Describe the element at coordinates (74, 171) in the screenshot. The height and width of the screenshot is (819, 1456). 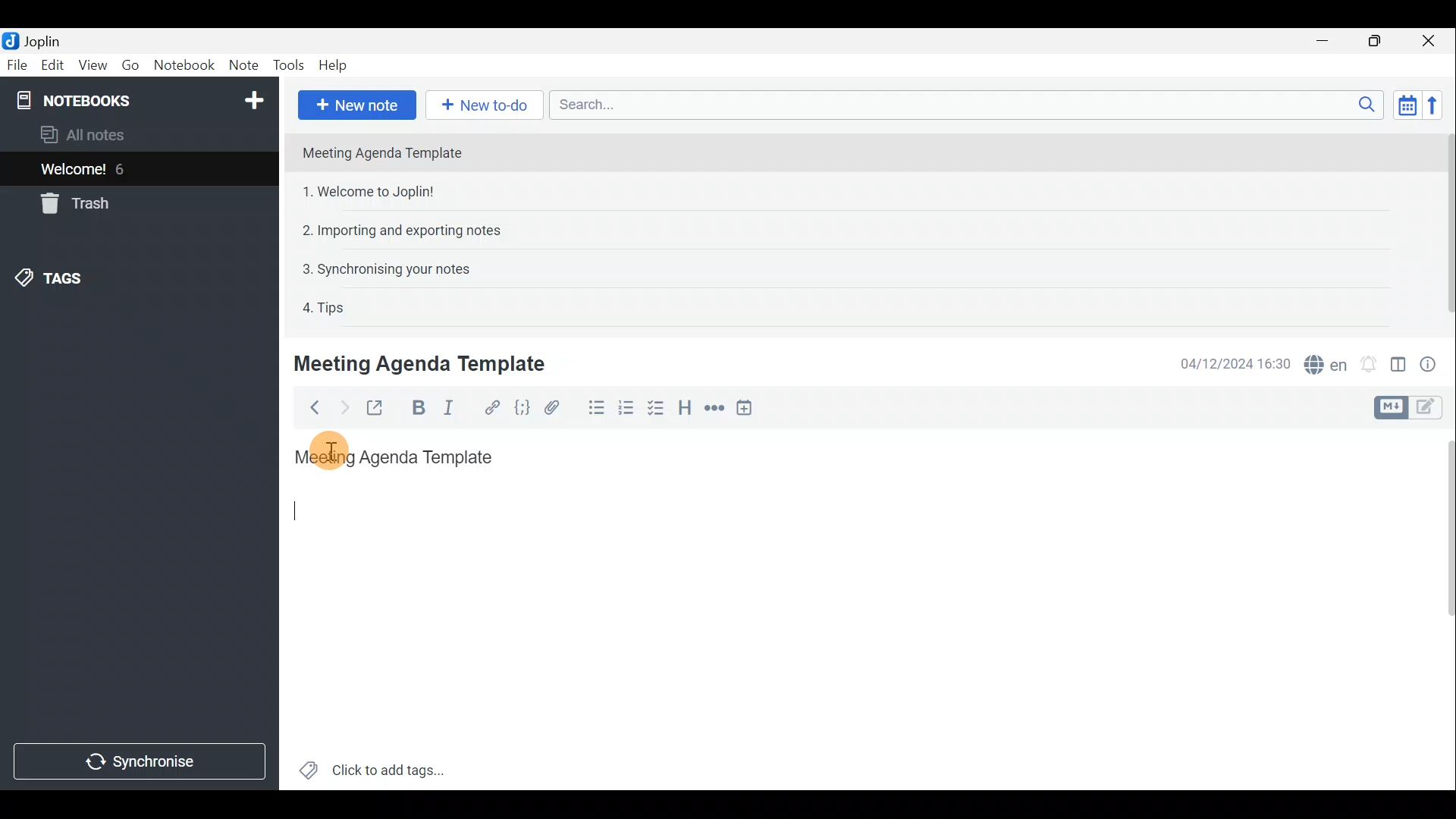
I see `Welcome!` at that location.